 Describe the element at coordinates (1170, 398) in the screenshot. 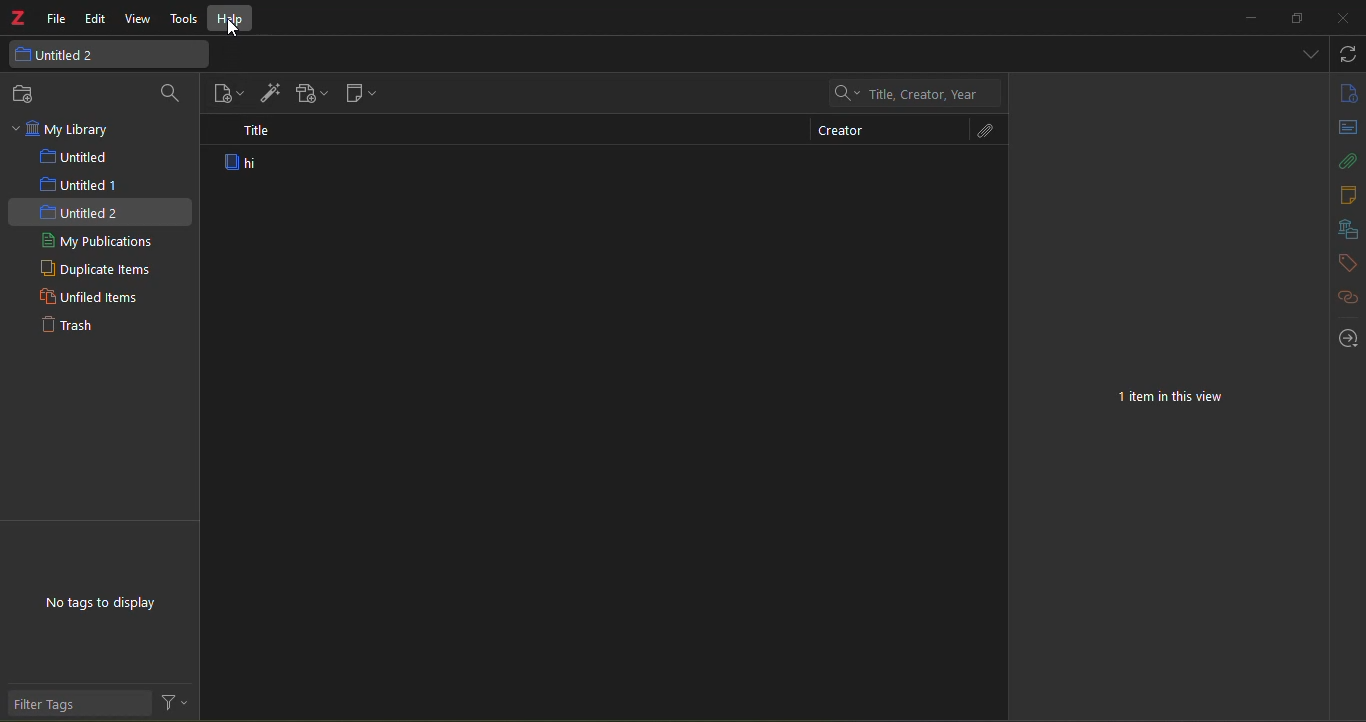

I see `1 item in this view` at that location.